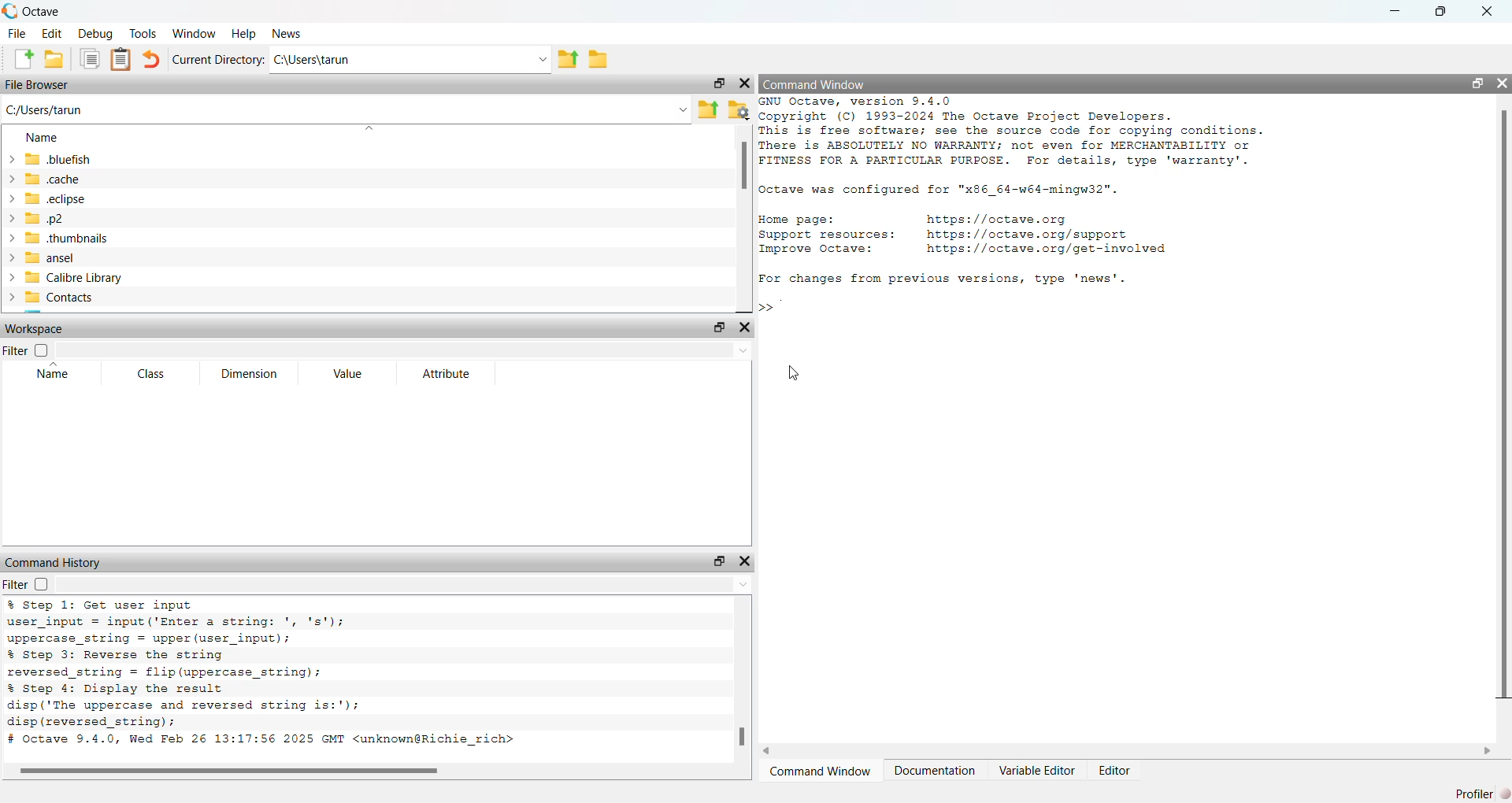 This screenshot has width=1512, height=803. Describe the element at coordinates (761, 306) in the screenshot. I see `prompt cursor` at that location.